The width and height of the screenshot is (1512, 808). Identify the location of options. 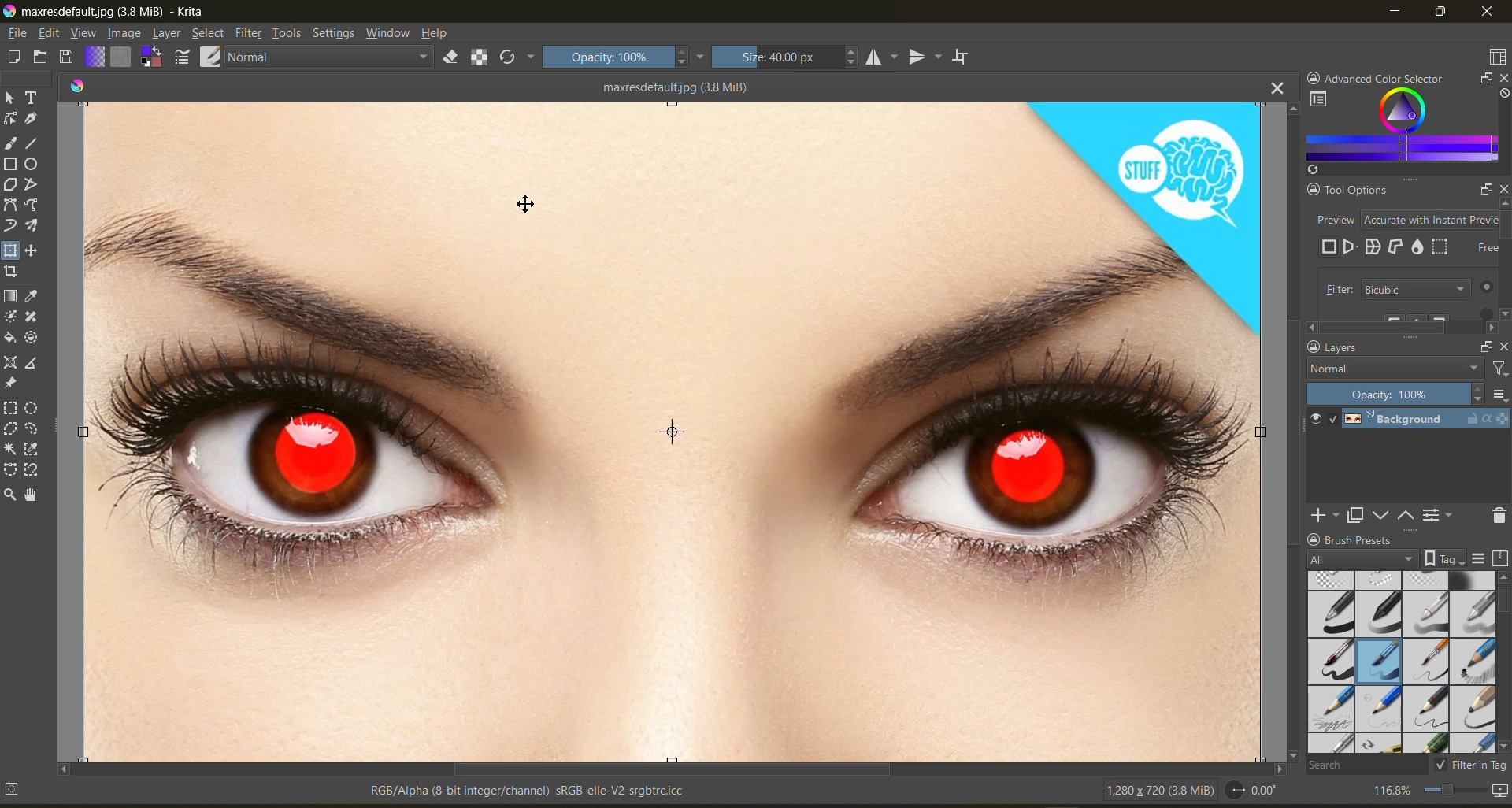
(1499, 395).